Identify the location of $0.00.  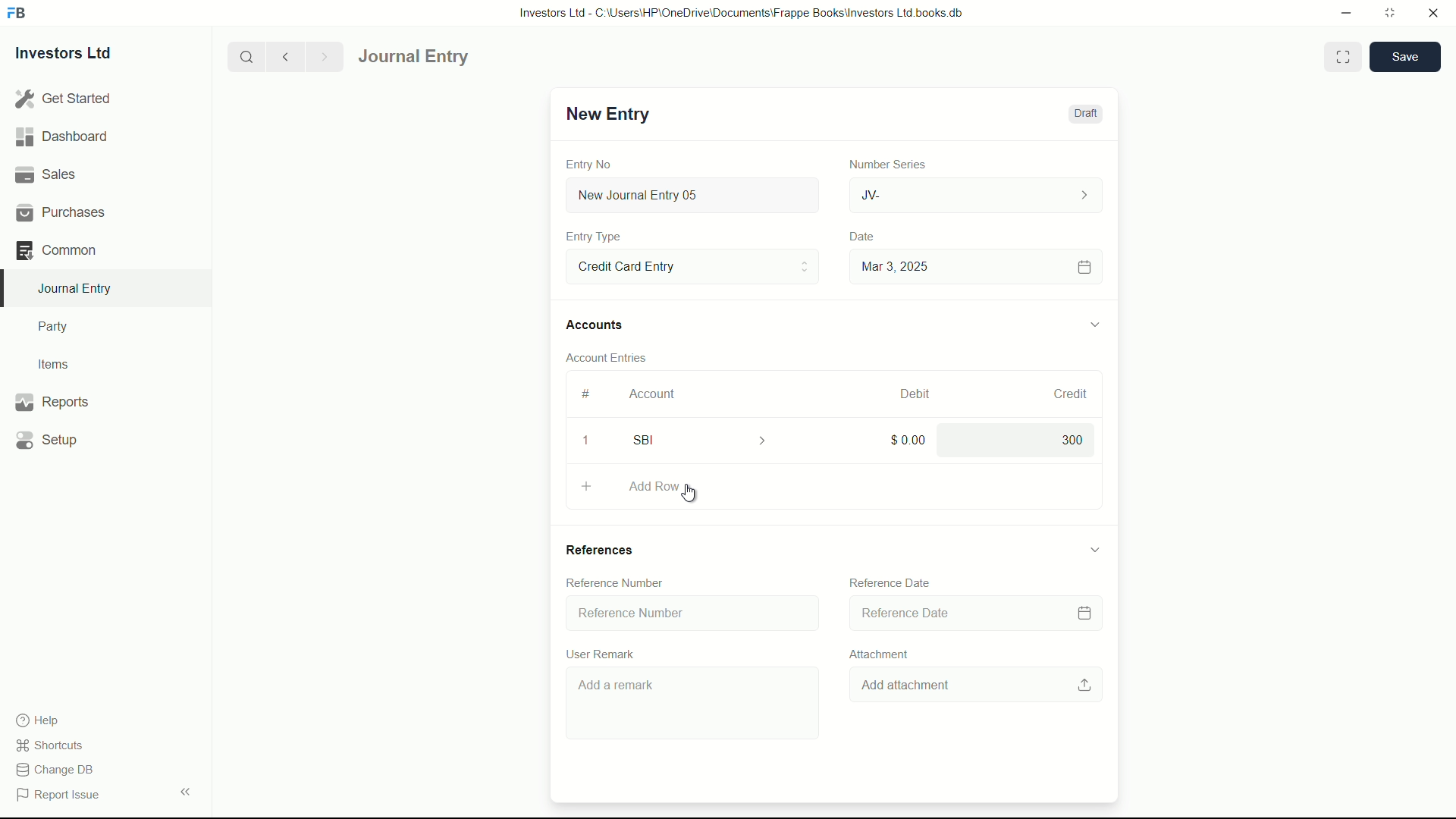
(901, 439).